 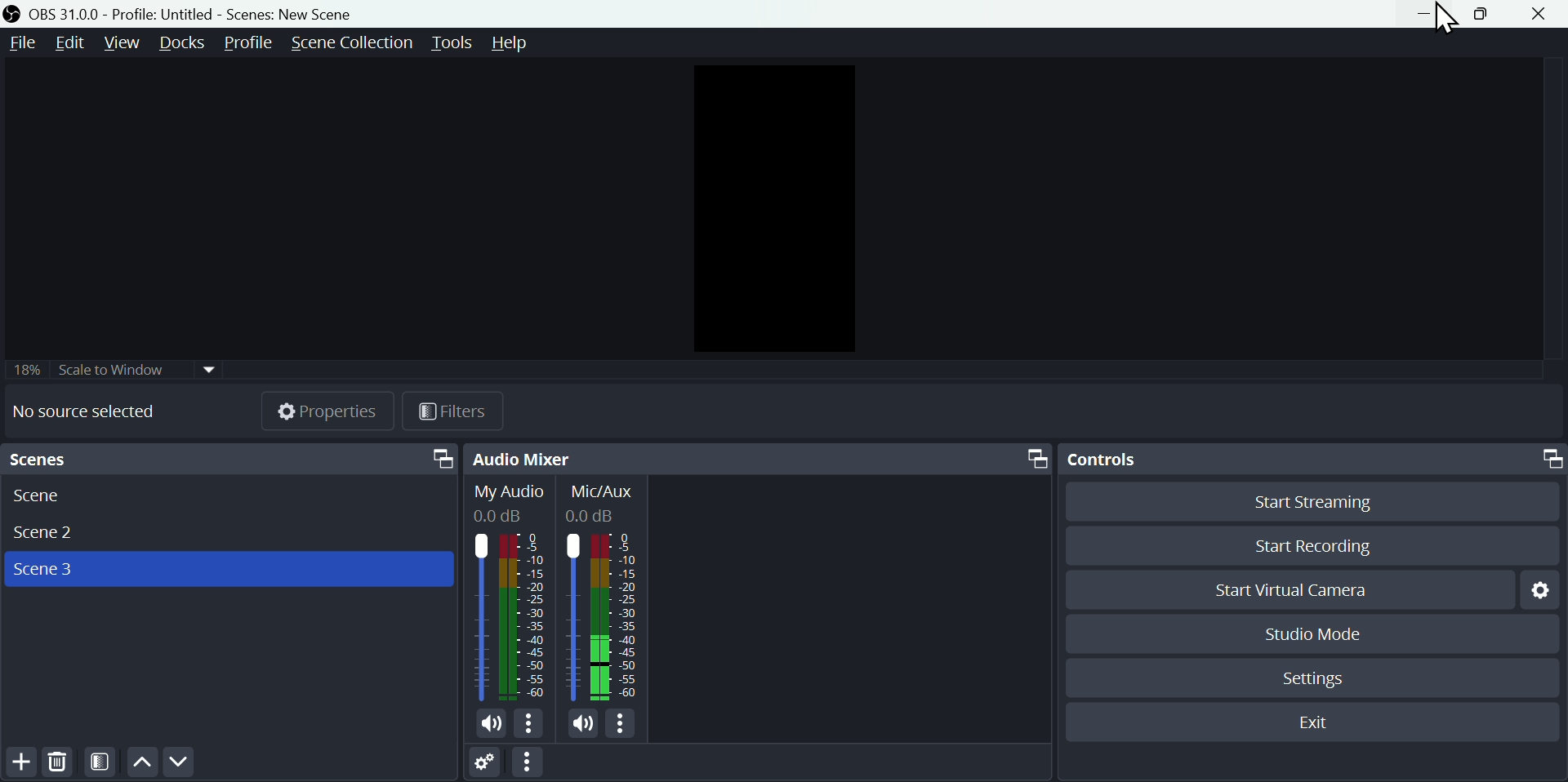 What do you see at coordinates (101, 764) in the screenshot?
I see `Filter` at bounding box center [101, 764].